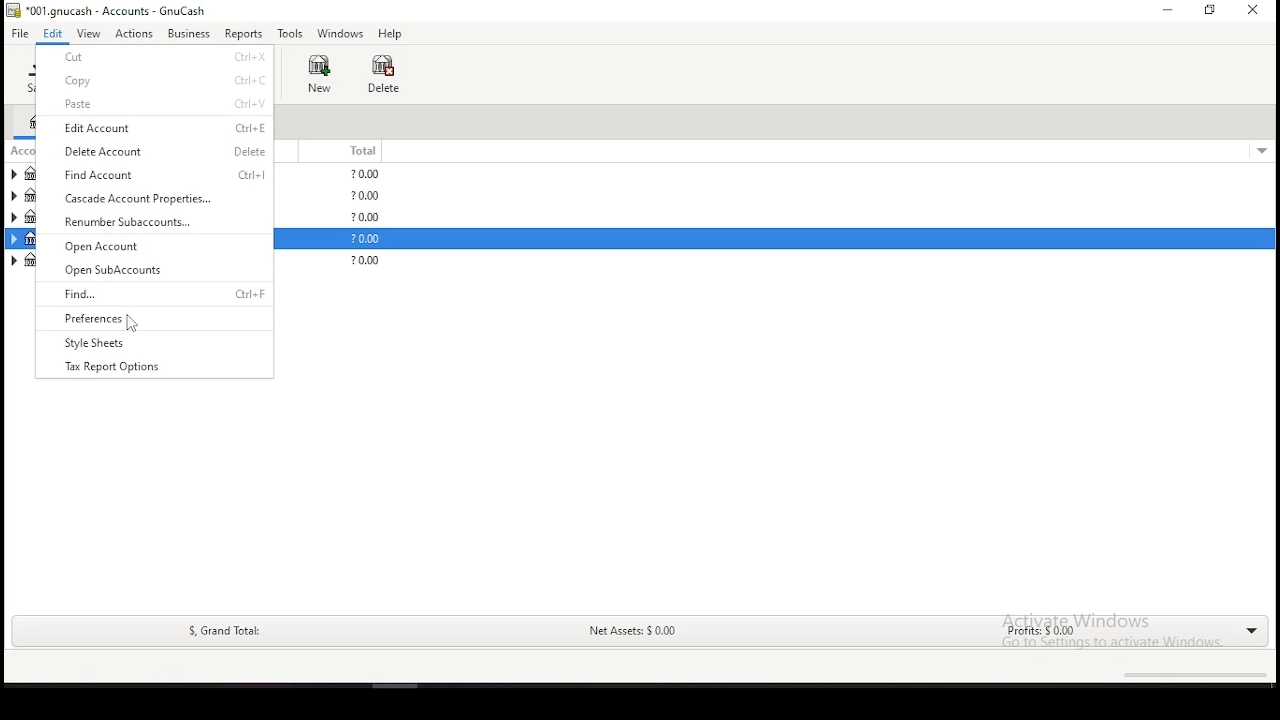  Describe the element at coordinates (19, 34) in the screenshot. I see `file` at that location.